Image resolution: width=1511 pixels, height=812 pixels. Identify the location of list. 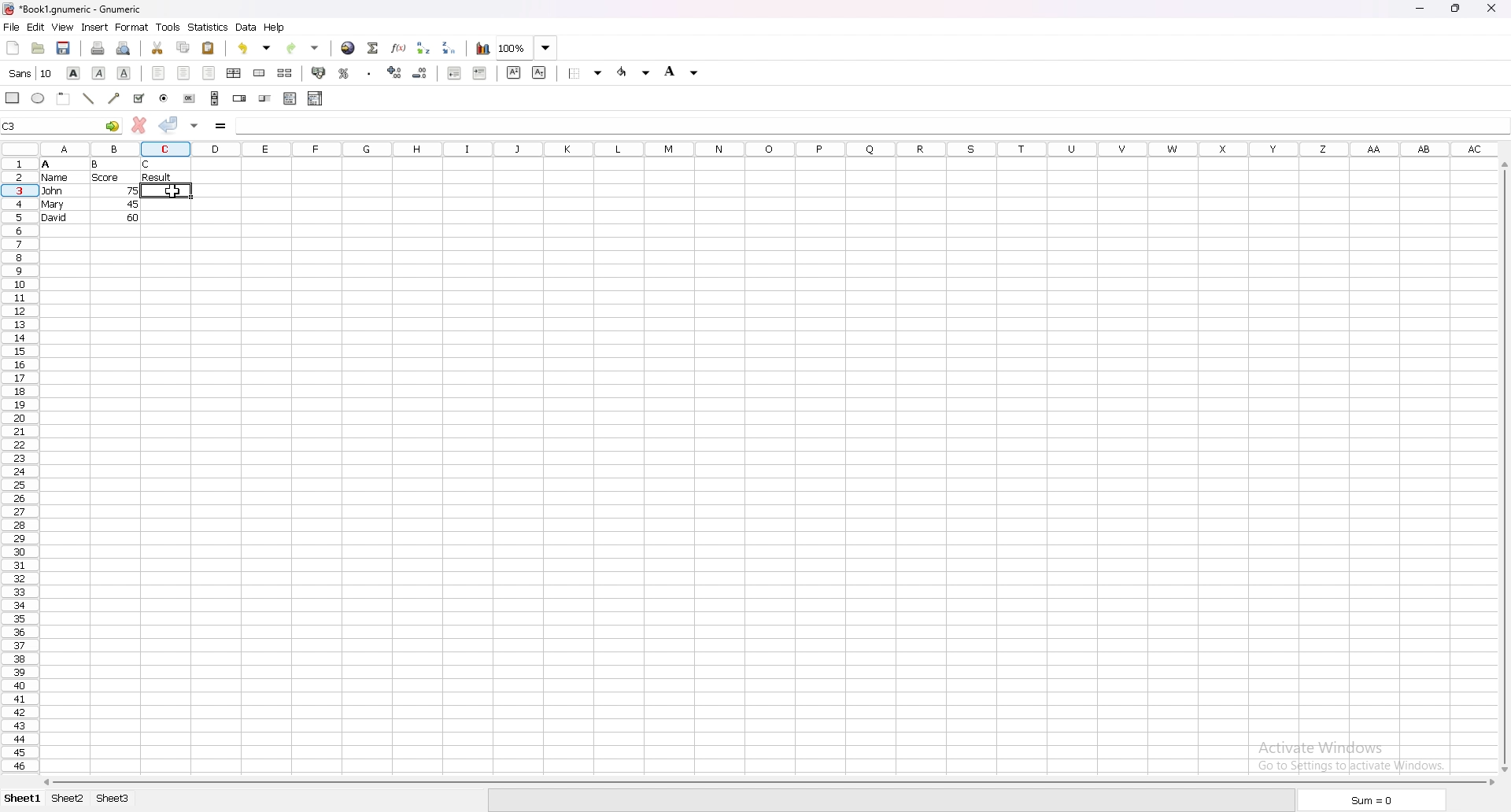
(290, 98).